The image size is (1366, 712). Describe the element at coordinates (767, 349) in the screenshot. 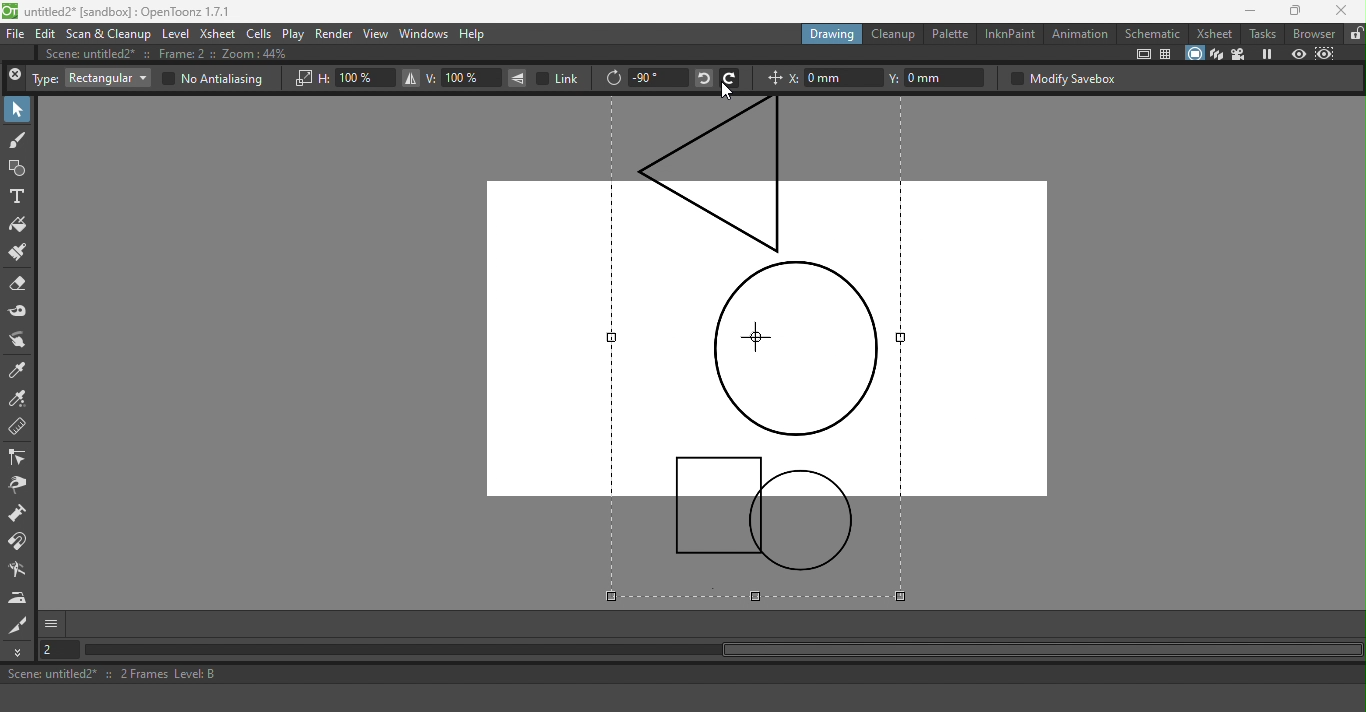

I see `canvas with objest rotated` at that location.